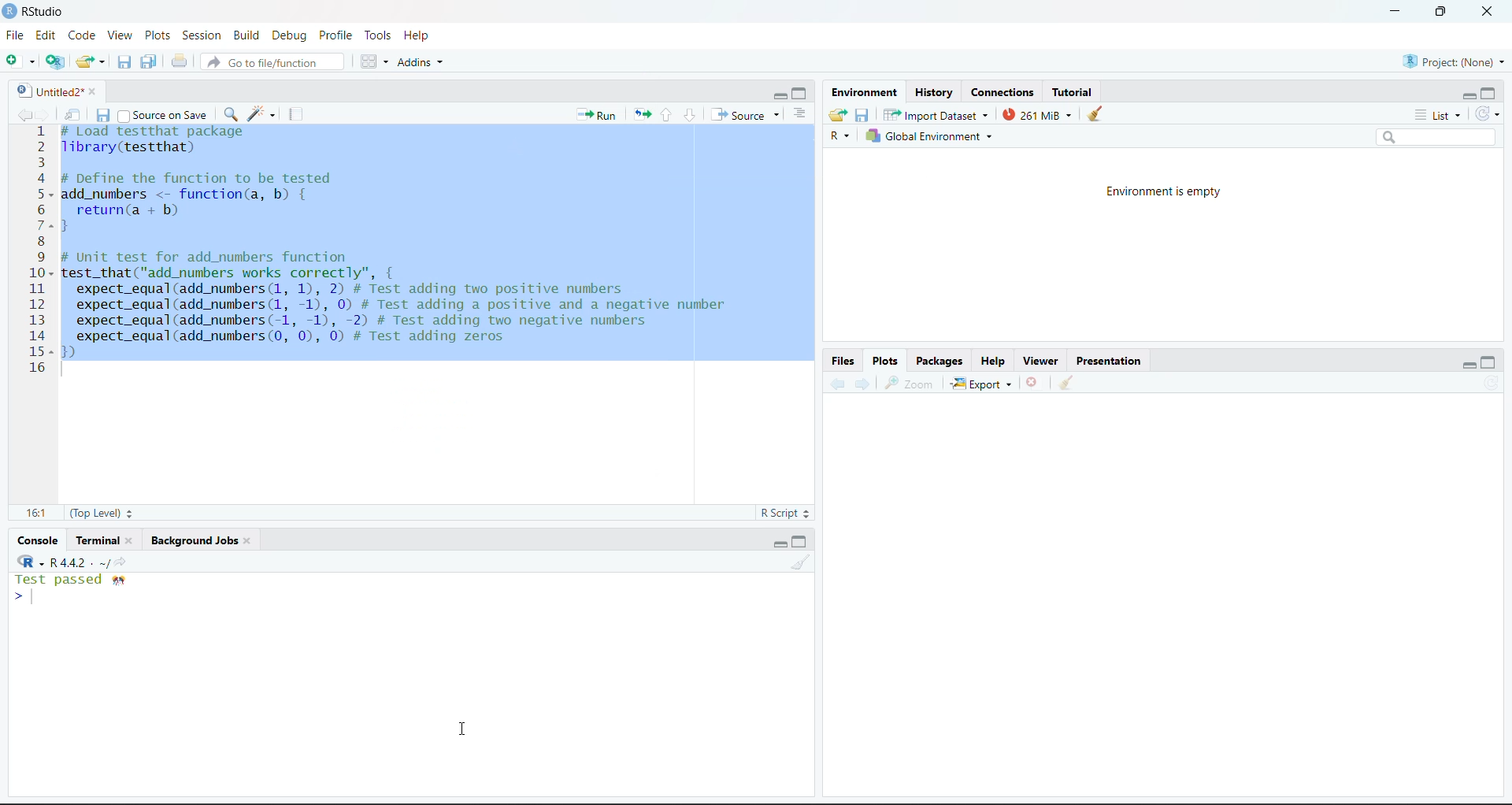 Image resolution: width=1512 pixels, height=805 pixels. I want to click on close, so click(1488, 12).